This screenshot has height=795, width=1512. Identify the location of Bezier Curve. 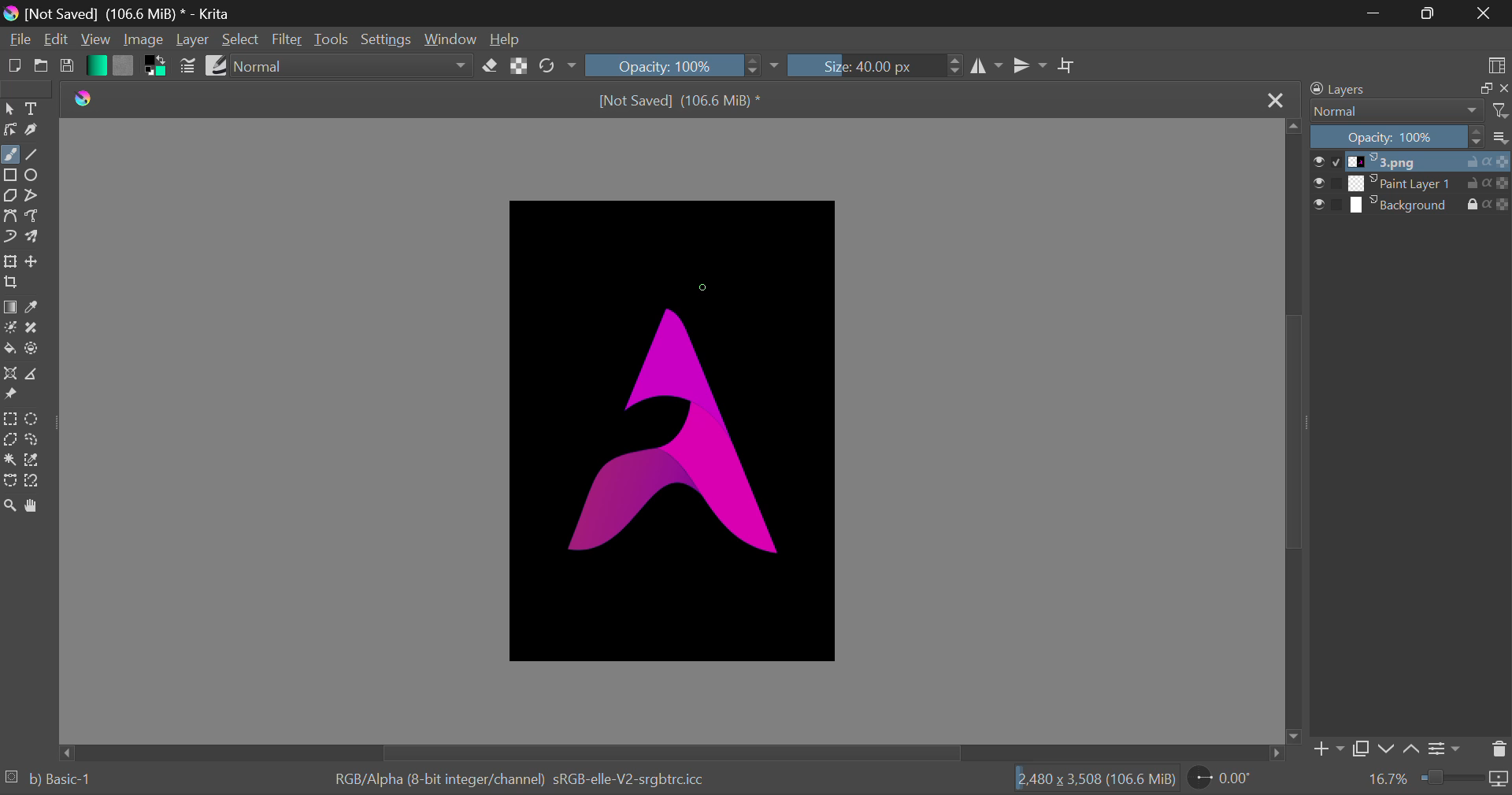
(13, 217).